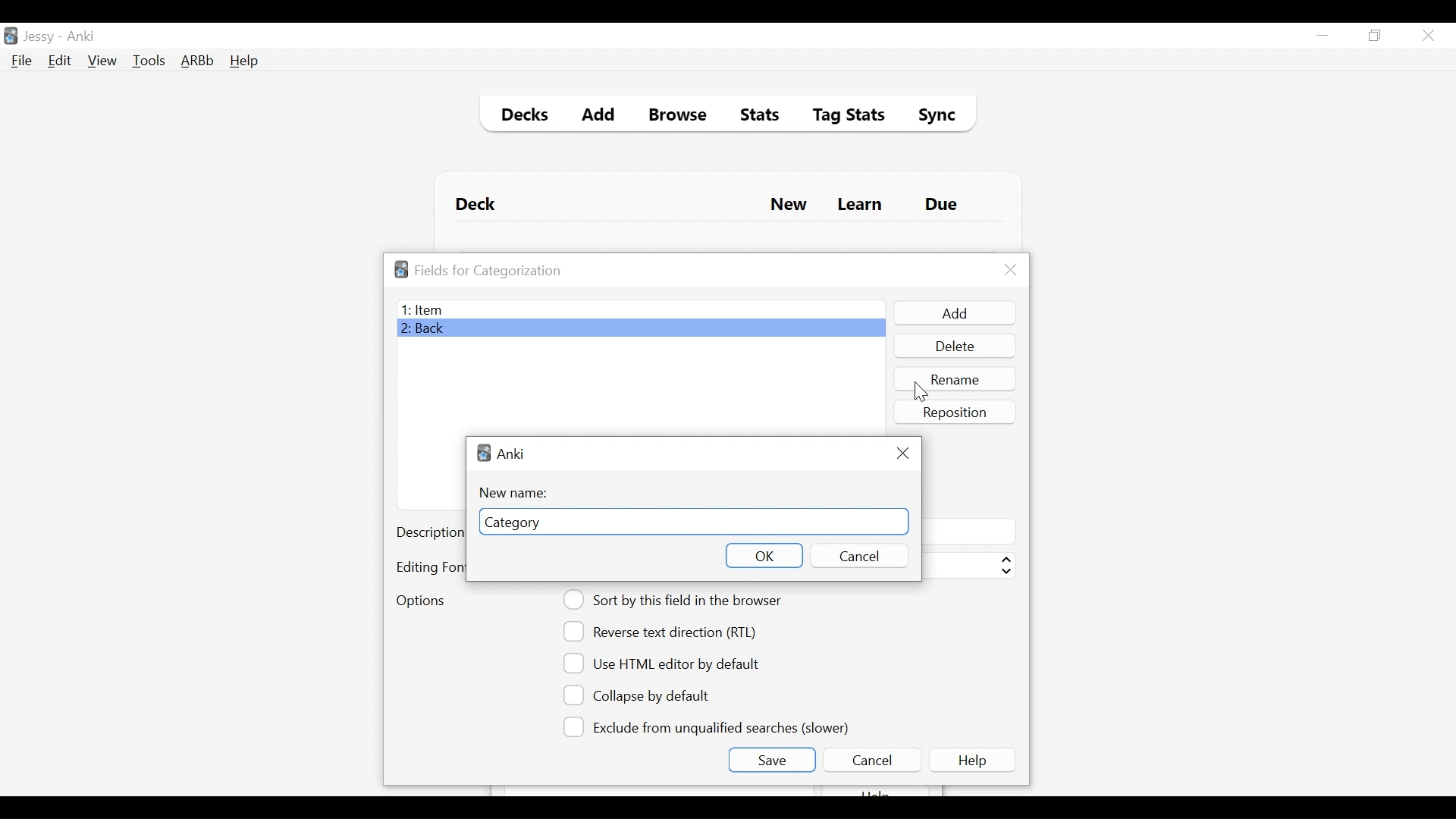 The height and width of the screenshot is (819, 1456). What do you see at coordinates (857, 556) in the screenshot?
I see `Cancel` at bounding box center [857, 556].